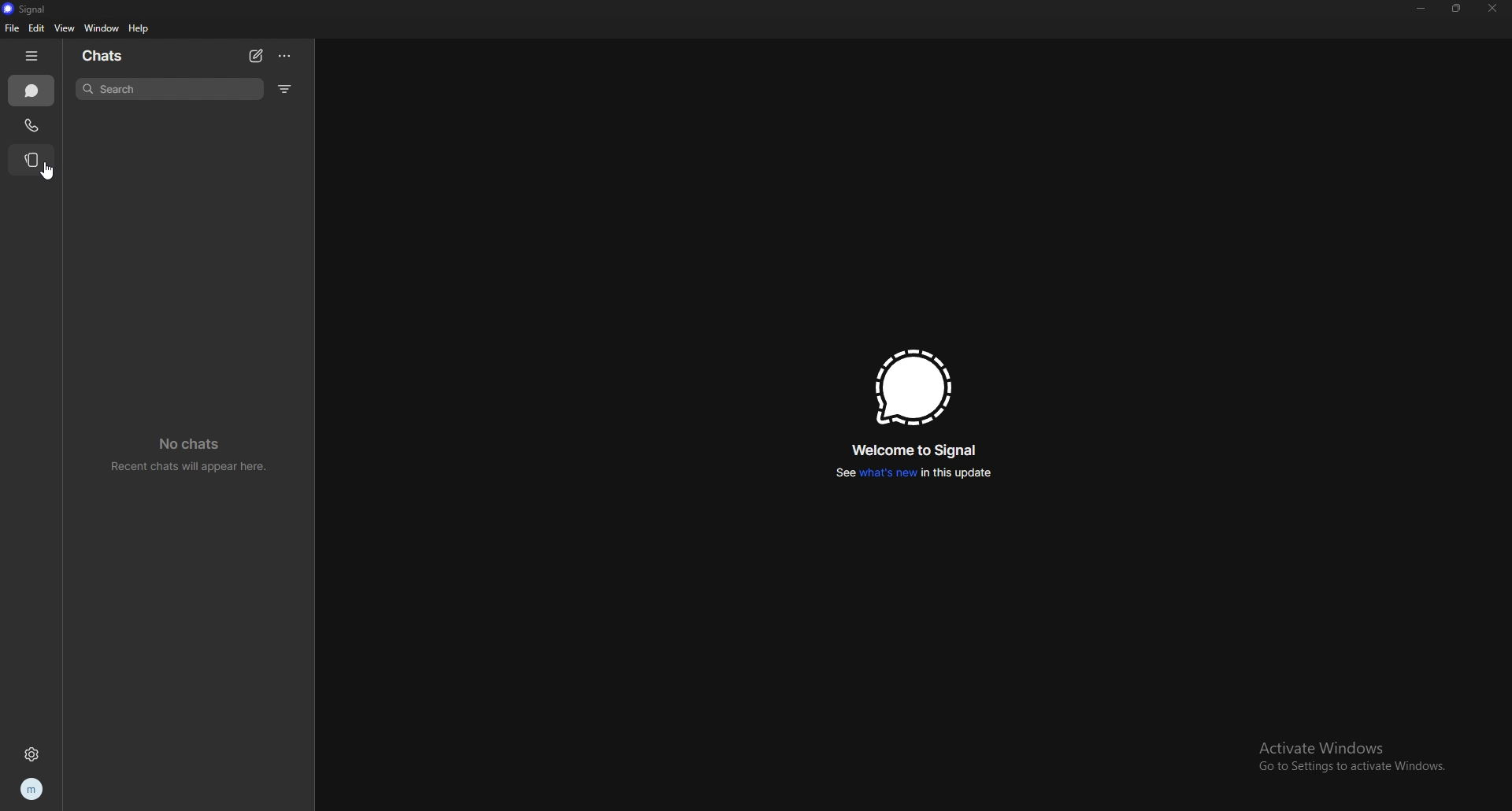 Image resolution: width=1512 pixels, height=811 pixels. What do you see at coordinates (63, 28) in the screenshot?
I see `view` at bounding box center [63, 28].